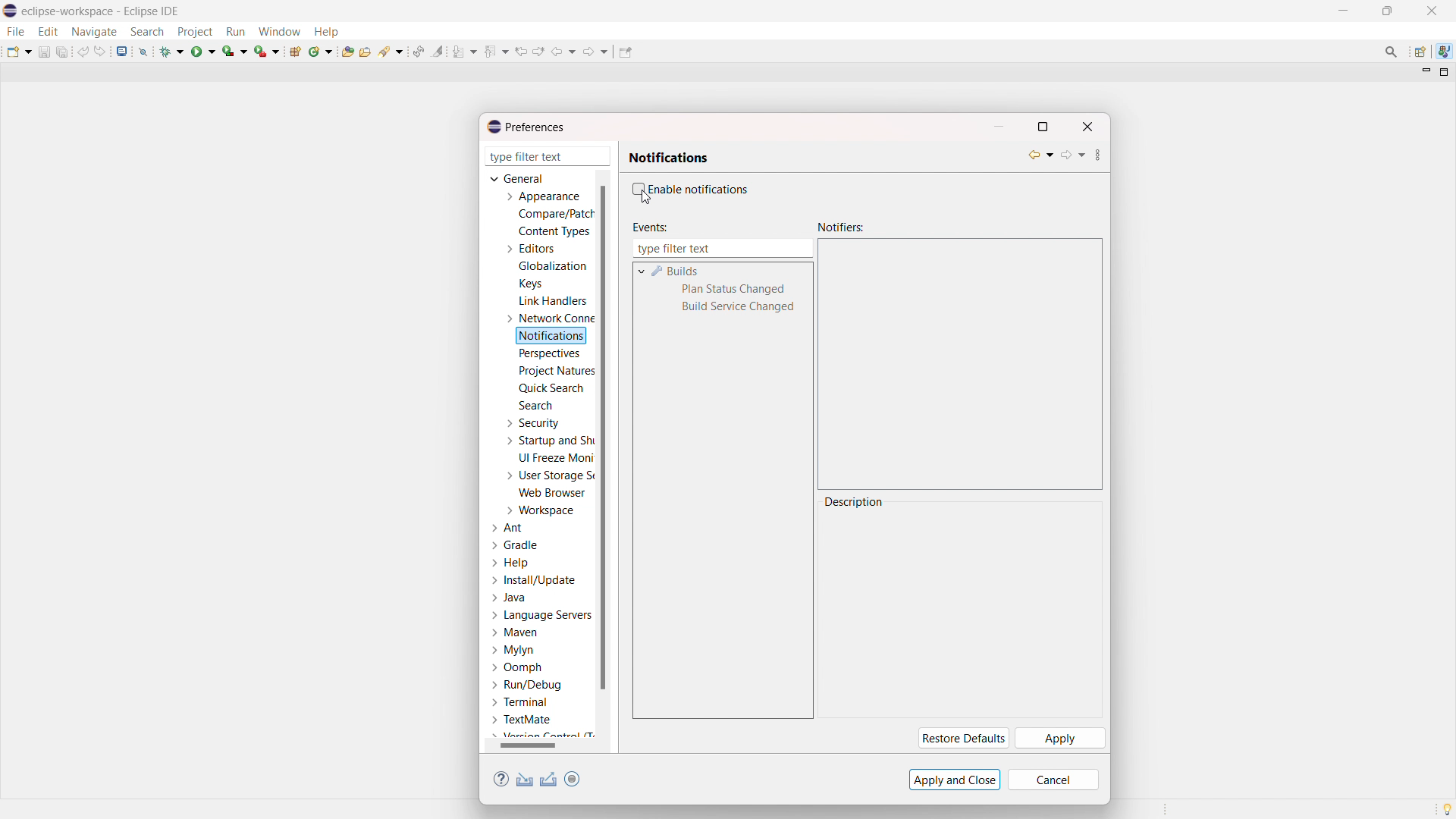 This screenshot has width=1456, height=819. I want to click on new java class, so click(322, 51).